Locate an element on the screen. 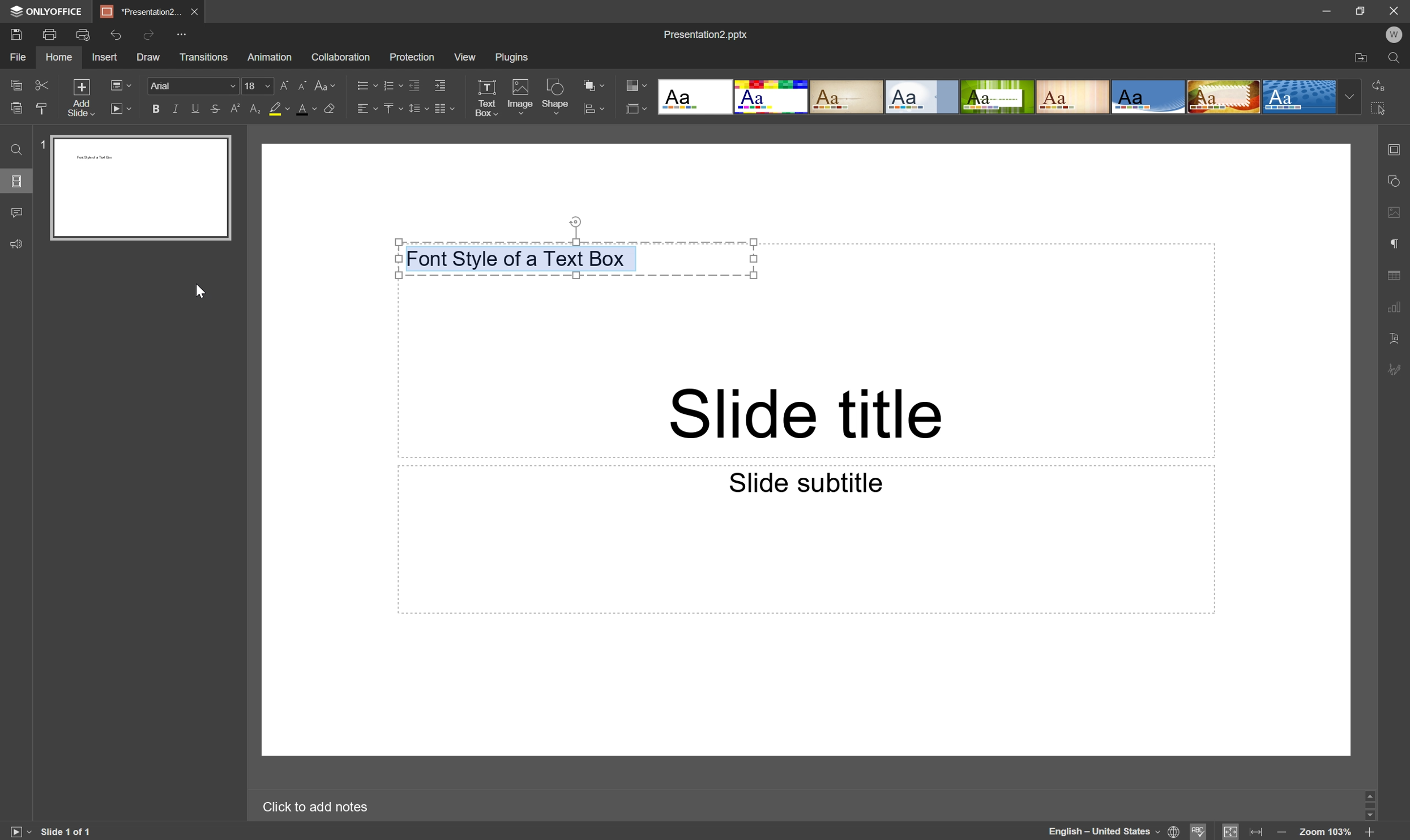 The image size is (1410, 840). File is located at coordinates (19, 57).